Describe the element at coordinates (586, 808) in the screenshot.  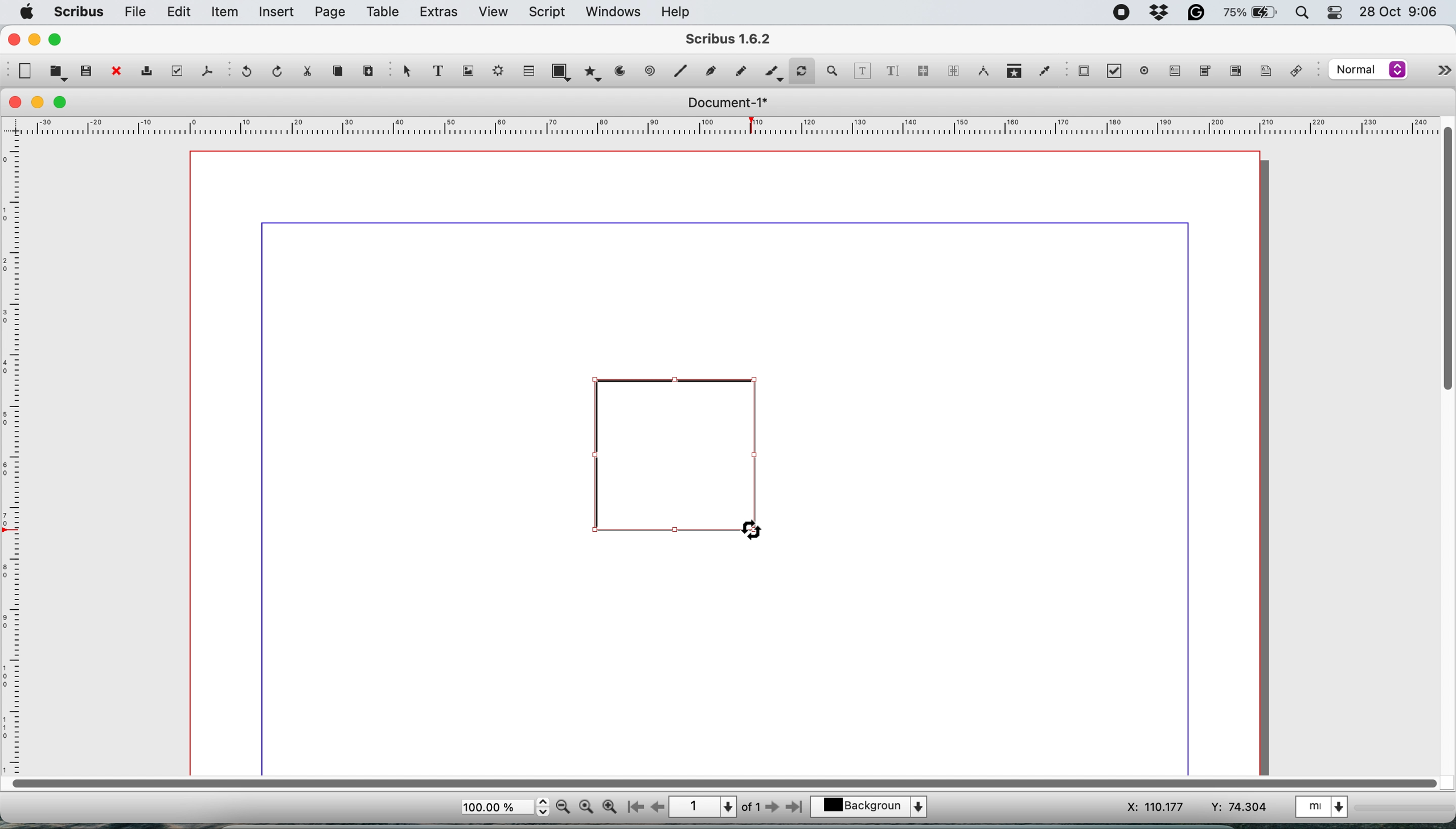
I see `zoom to 100%` at that location.